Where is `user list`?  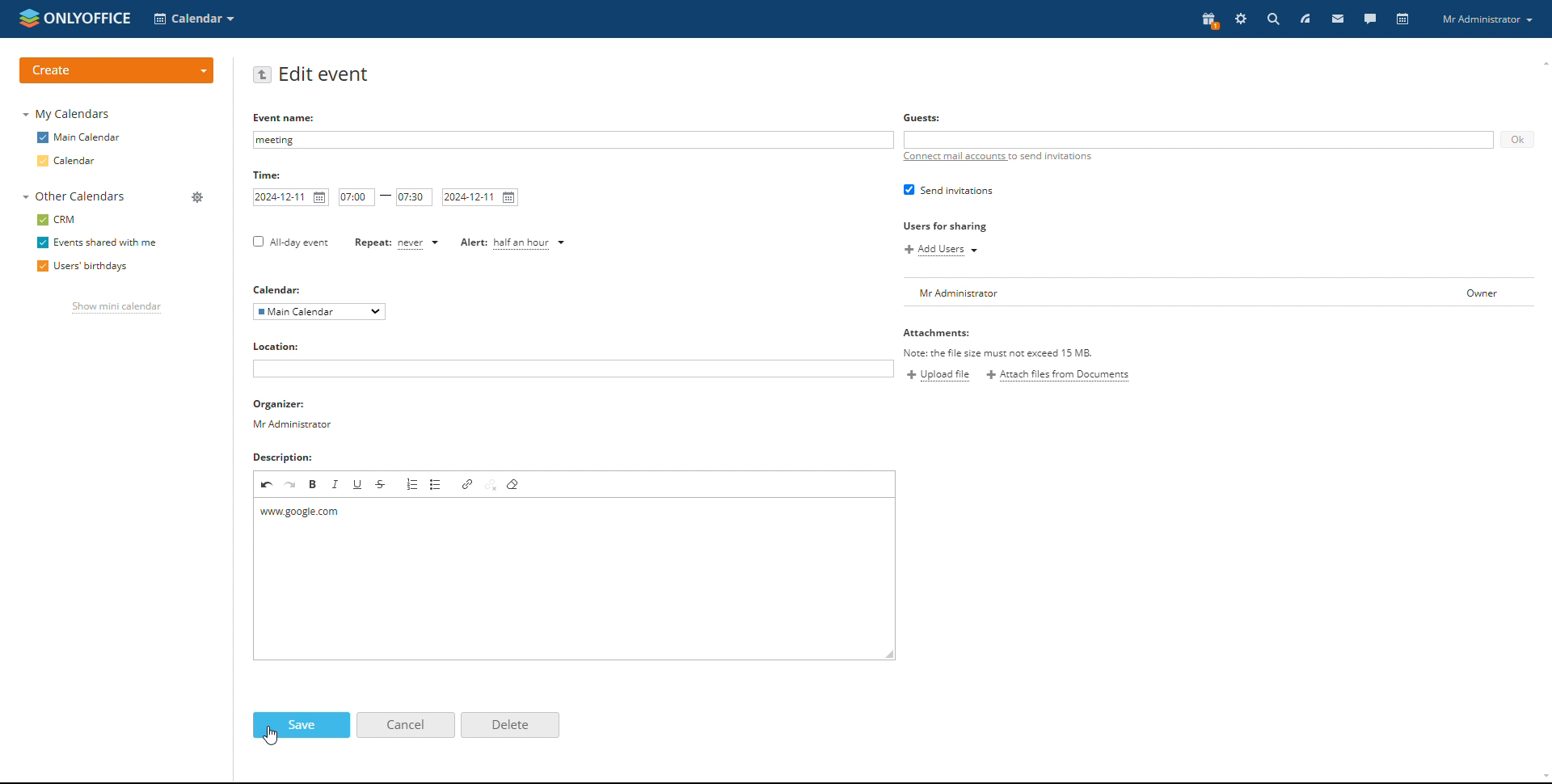
user list is located at coordinates (1220, 293).